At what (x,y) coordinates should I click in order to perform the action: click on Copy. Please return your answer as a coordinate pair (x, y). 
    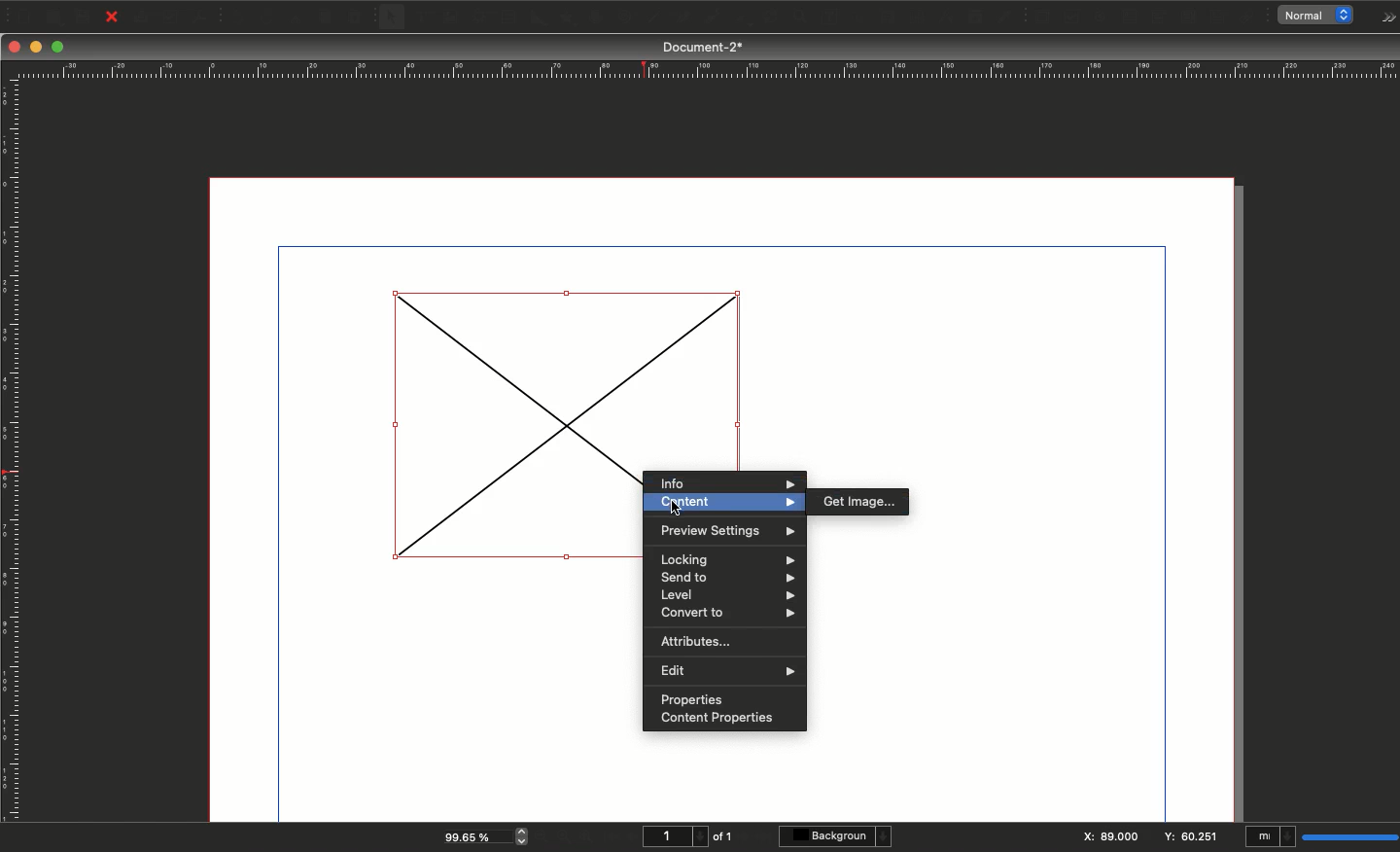
    Looking at the image, I should click on (327, 18).